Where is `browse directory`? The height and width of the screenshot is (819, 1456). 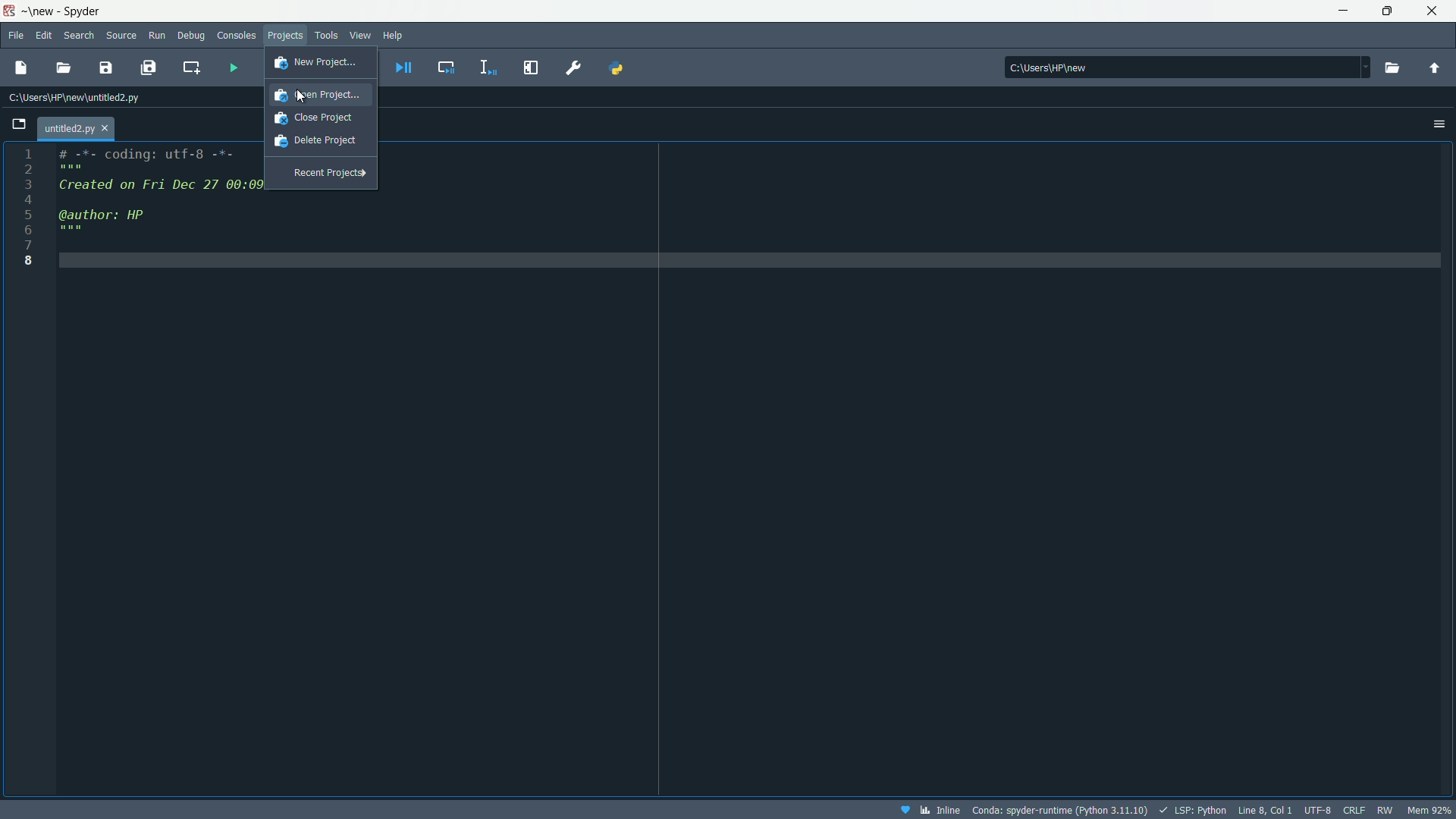
browse directory is located at coordinates (1394, 67).